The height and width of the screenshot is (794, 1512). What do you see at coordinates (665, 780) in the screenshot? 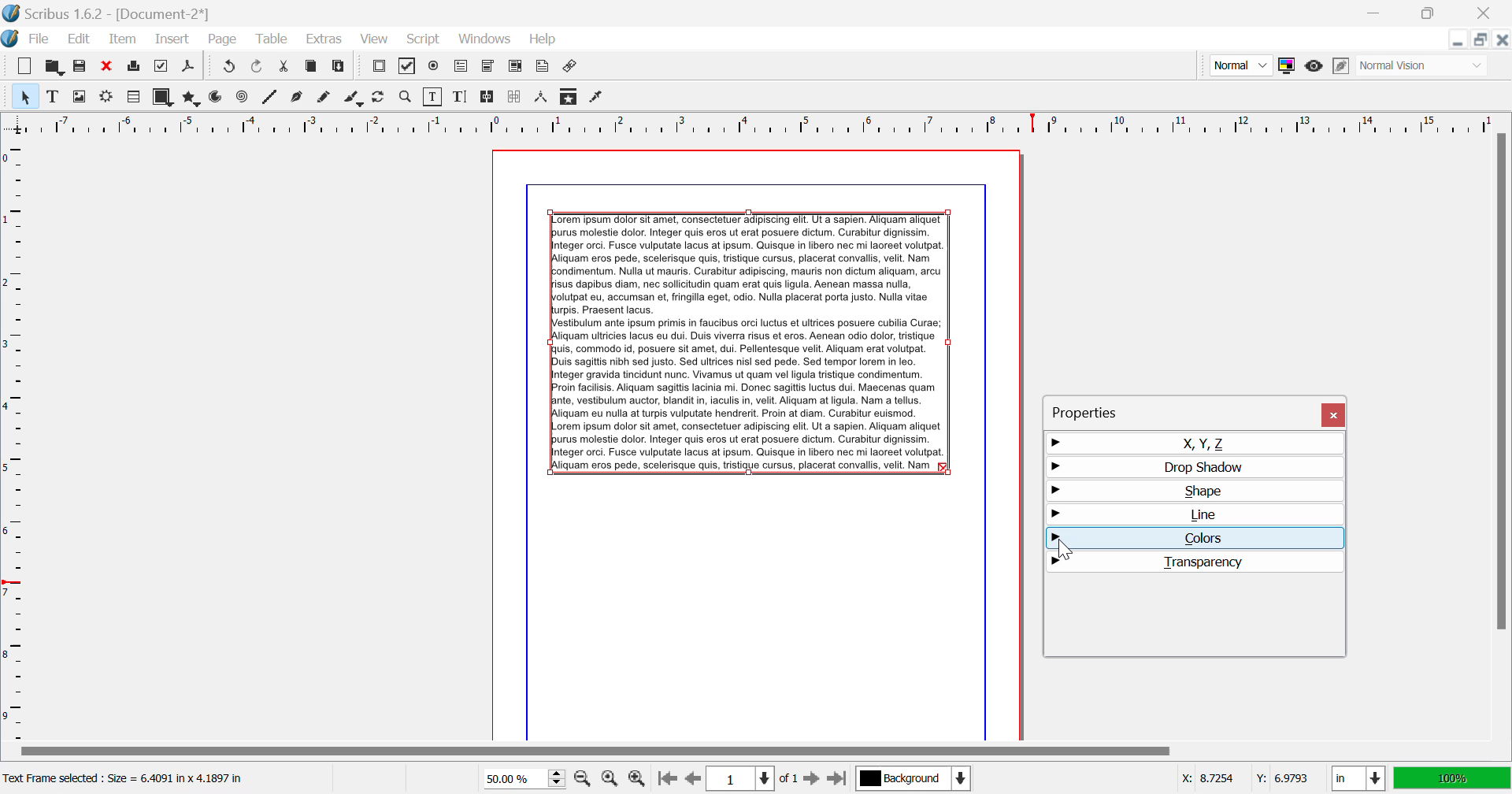
I see `First Page` at bounding box center [665, 780].